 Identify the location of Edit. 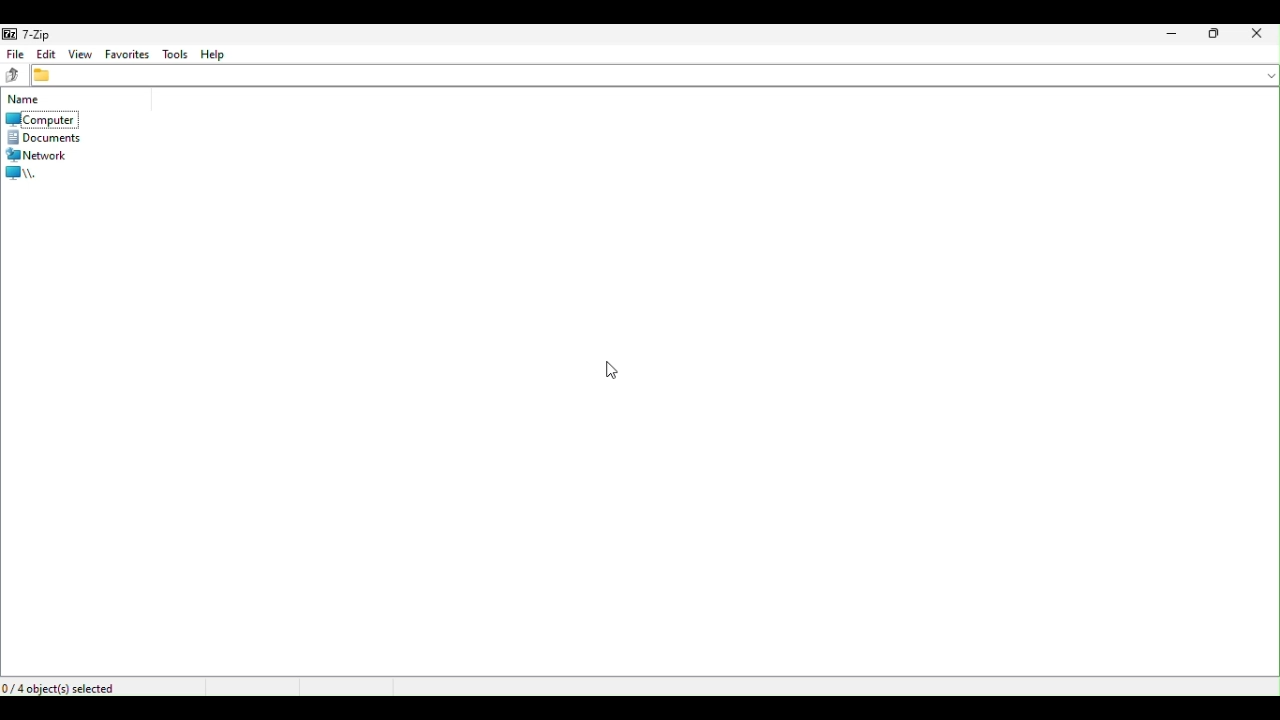
(47, 55).